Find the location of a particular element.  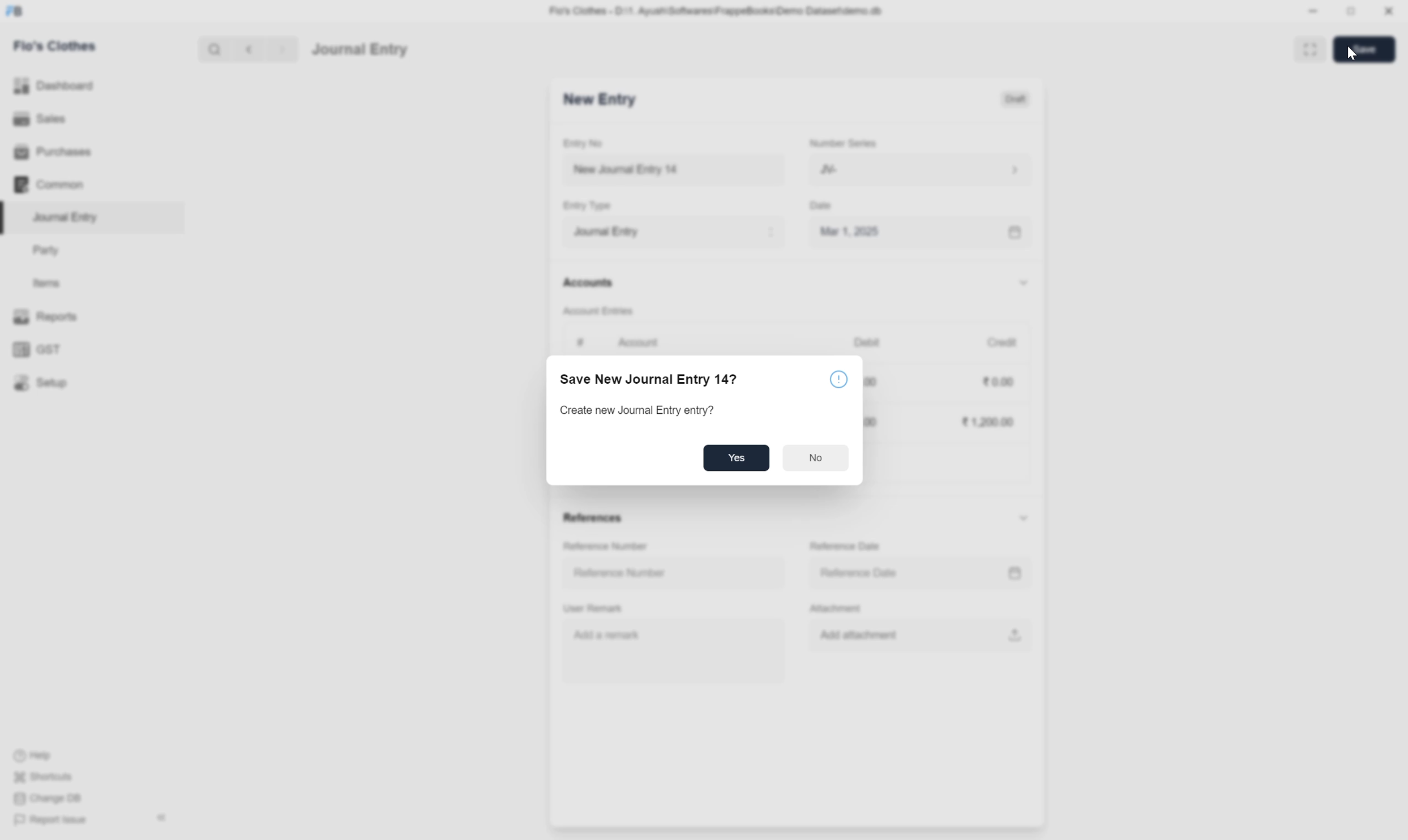

Entry Type is located at coordinates (591, 205).